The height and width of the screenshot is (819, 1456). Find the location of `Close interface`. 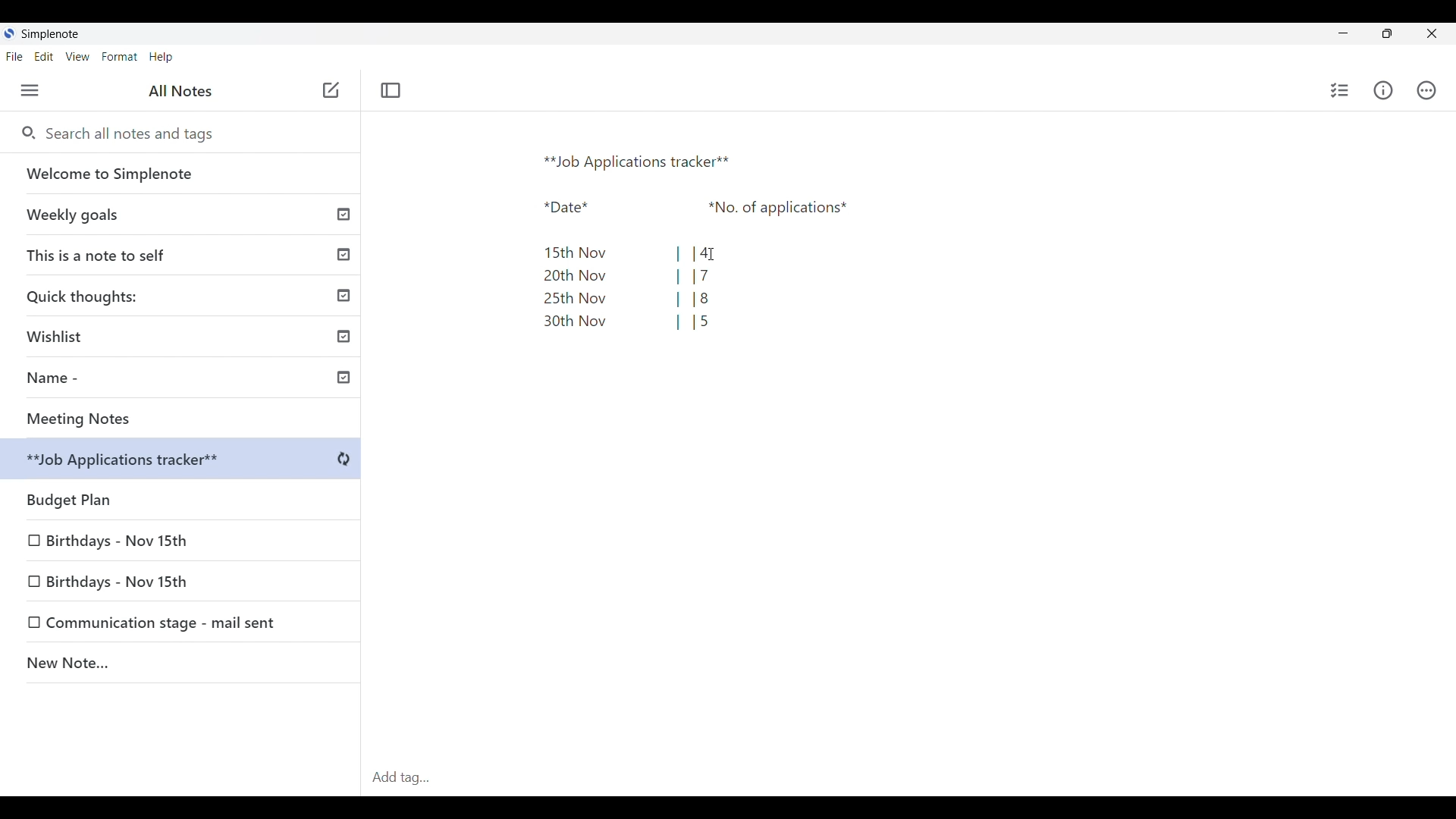

Close interface is located at coordinates (1249, 34).